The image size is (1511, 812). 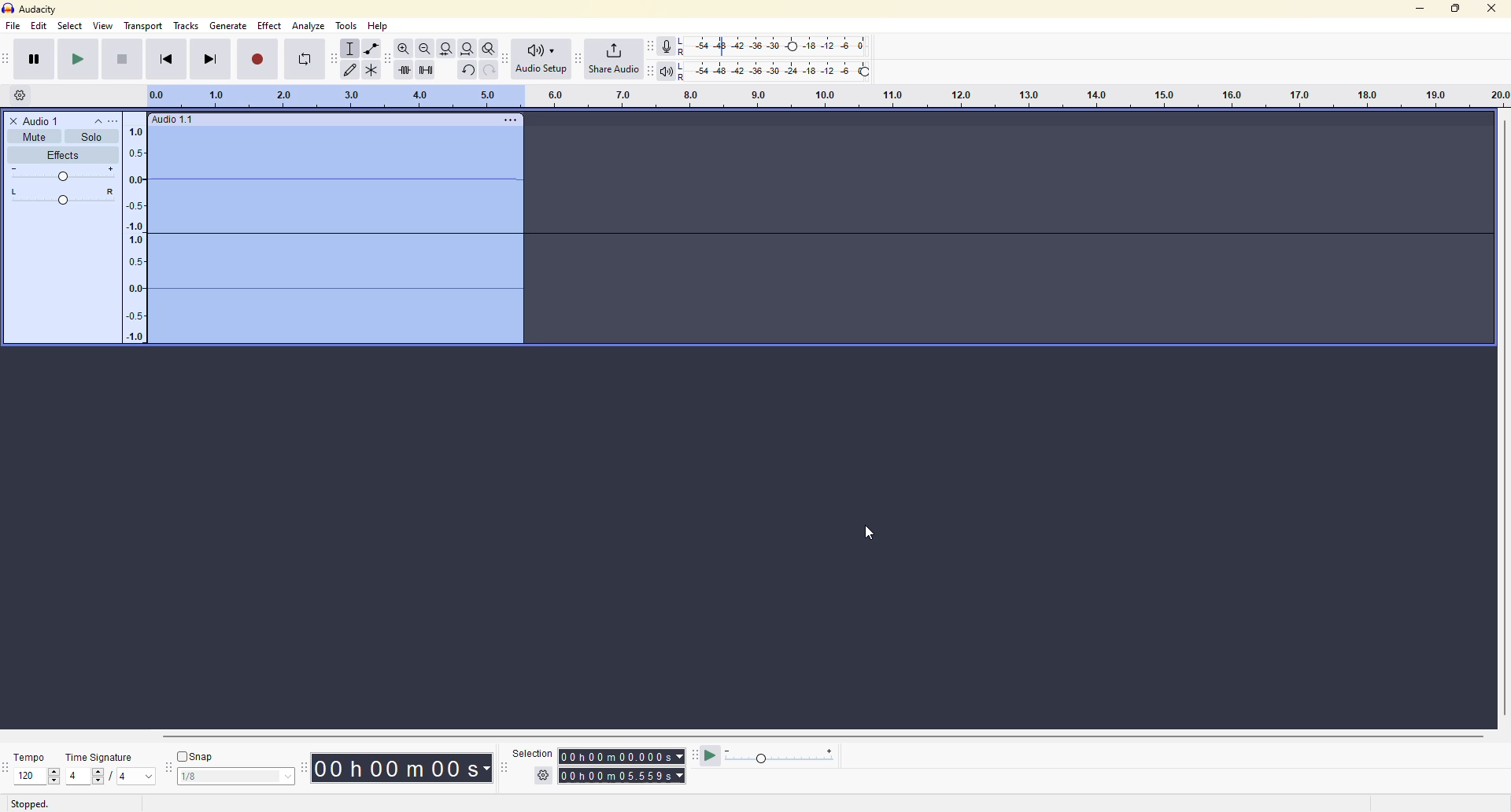 What do you see at coordinates (310, 26) in the screenshot?
I see `analyze` at bounding box center [310, 26].